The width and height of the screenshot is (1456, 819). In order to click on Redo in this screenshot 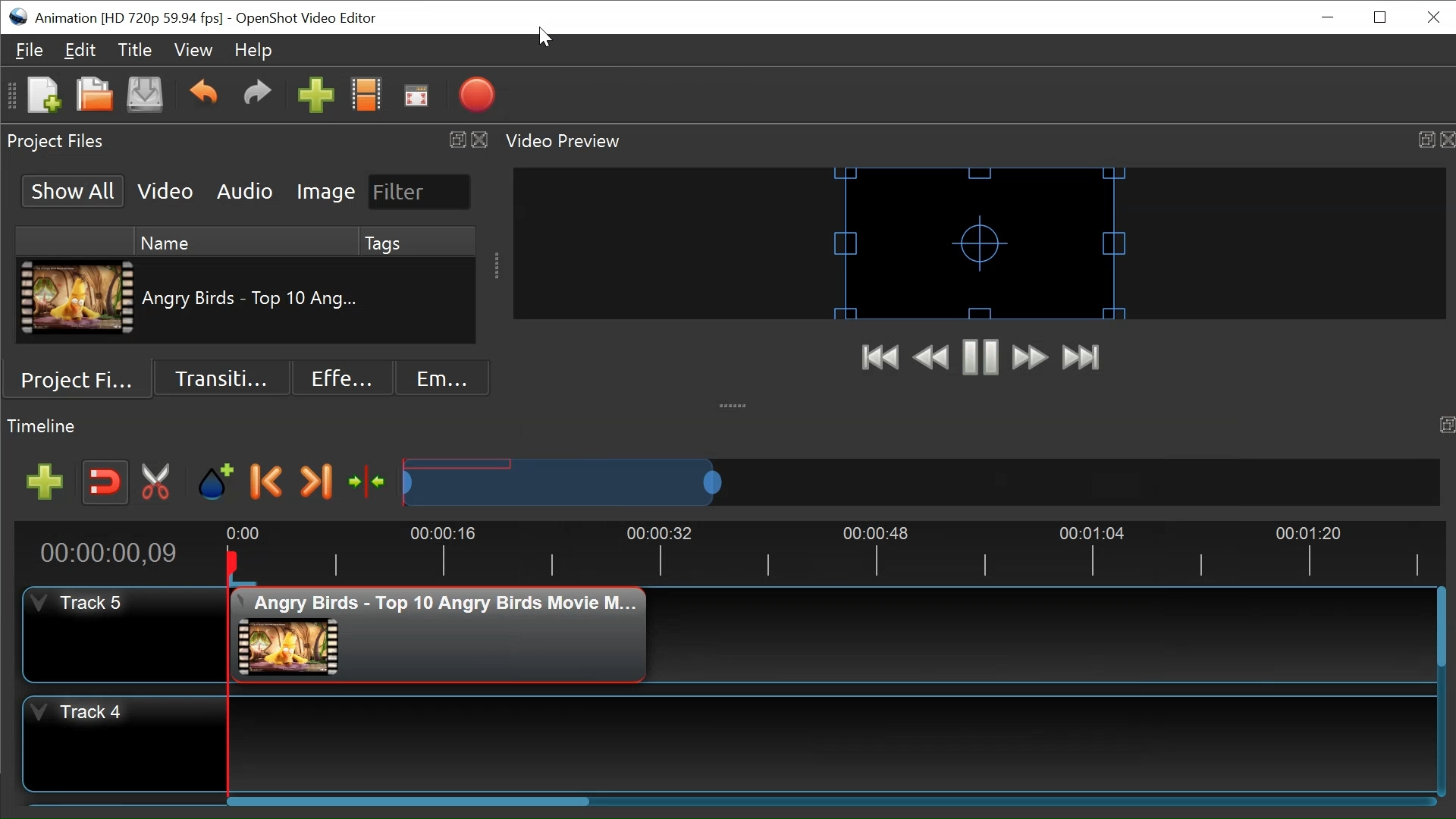, I will do `click(258, 94)`.